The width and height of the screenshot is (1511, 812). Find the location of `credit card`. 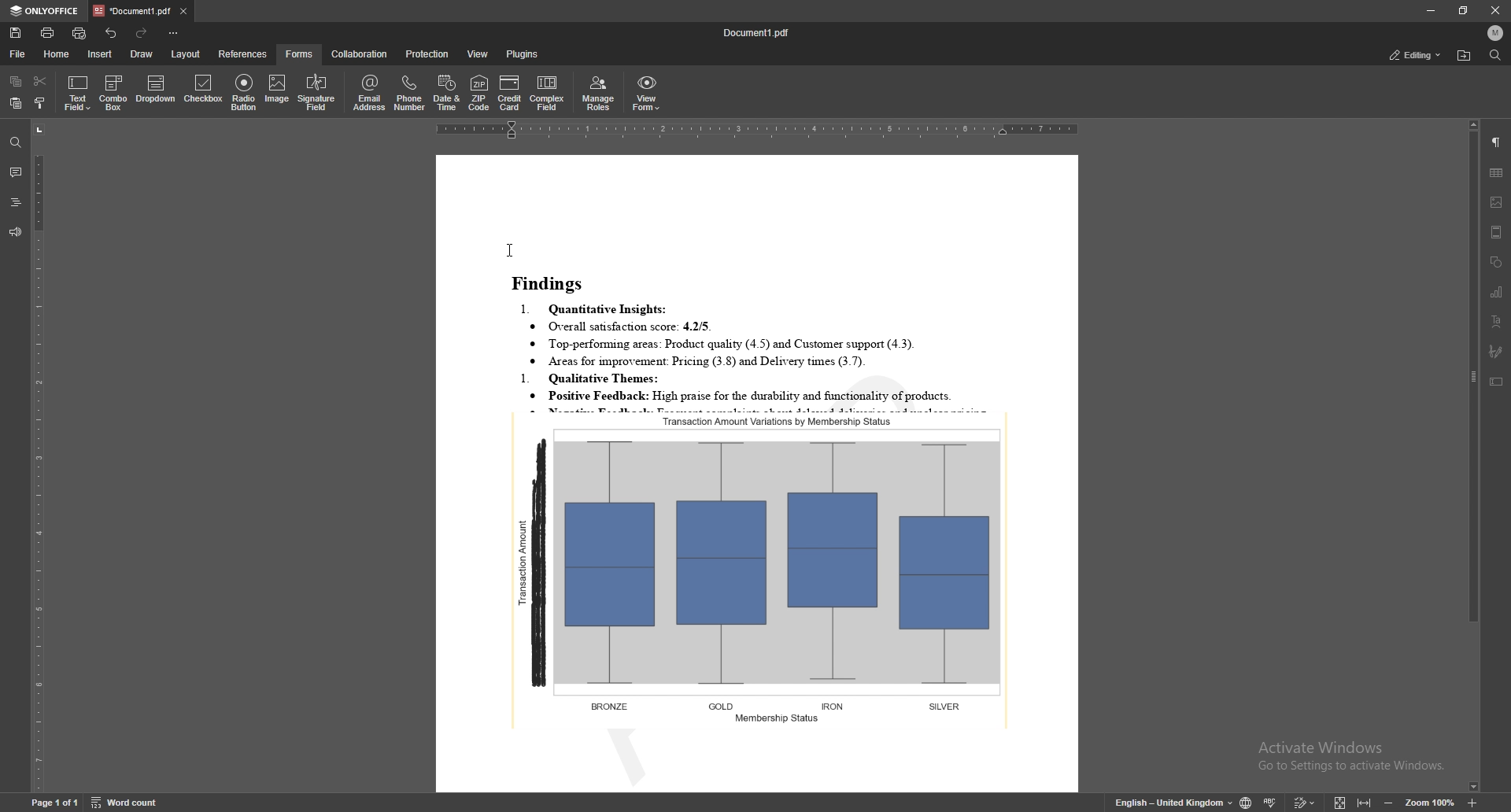

credit card is located at coordinates (511, 93).